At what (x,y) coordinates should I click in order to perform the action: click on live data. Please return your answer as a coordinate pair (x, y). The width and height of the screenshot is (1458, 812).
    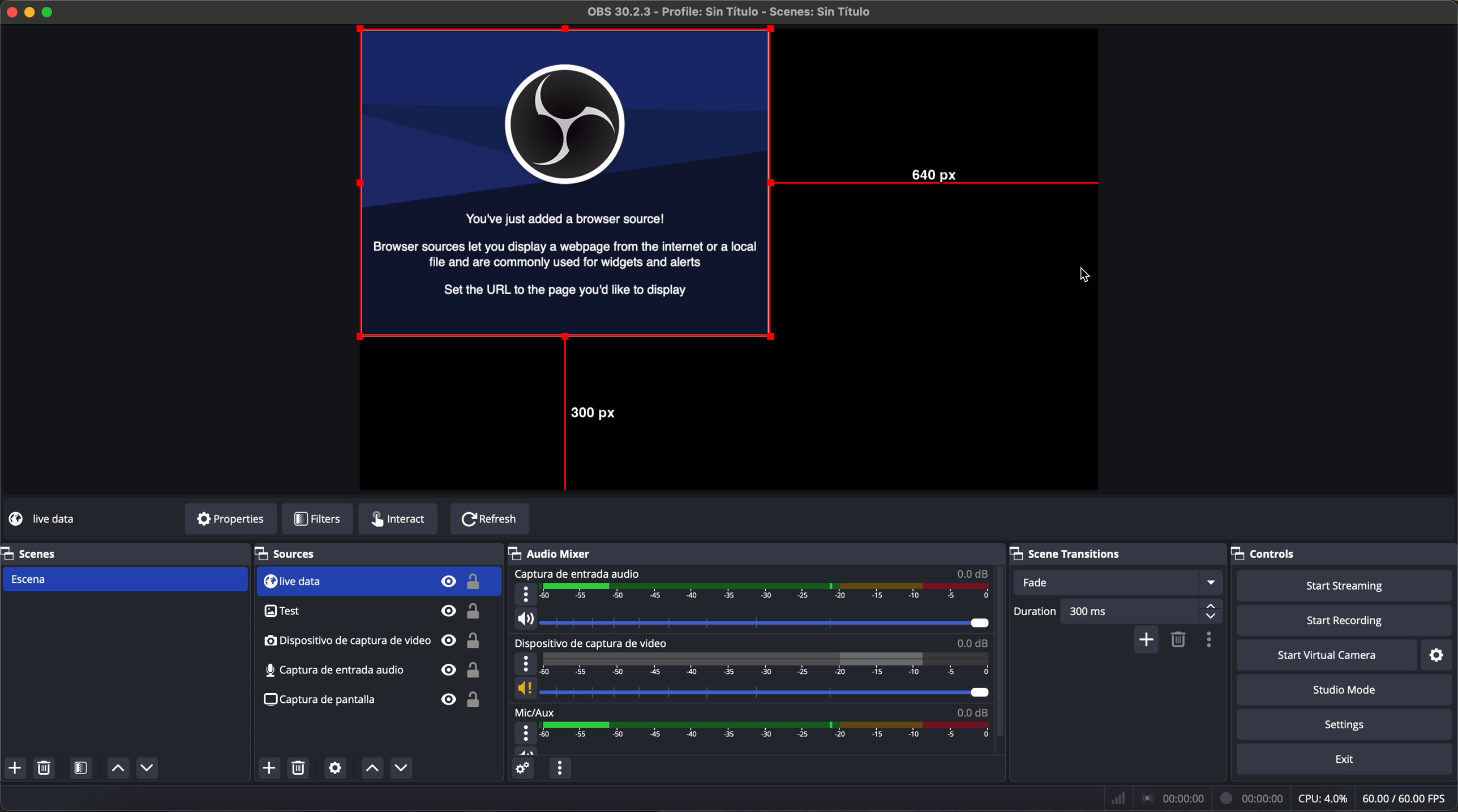
    Looking at the image, I should click on (381, 581).